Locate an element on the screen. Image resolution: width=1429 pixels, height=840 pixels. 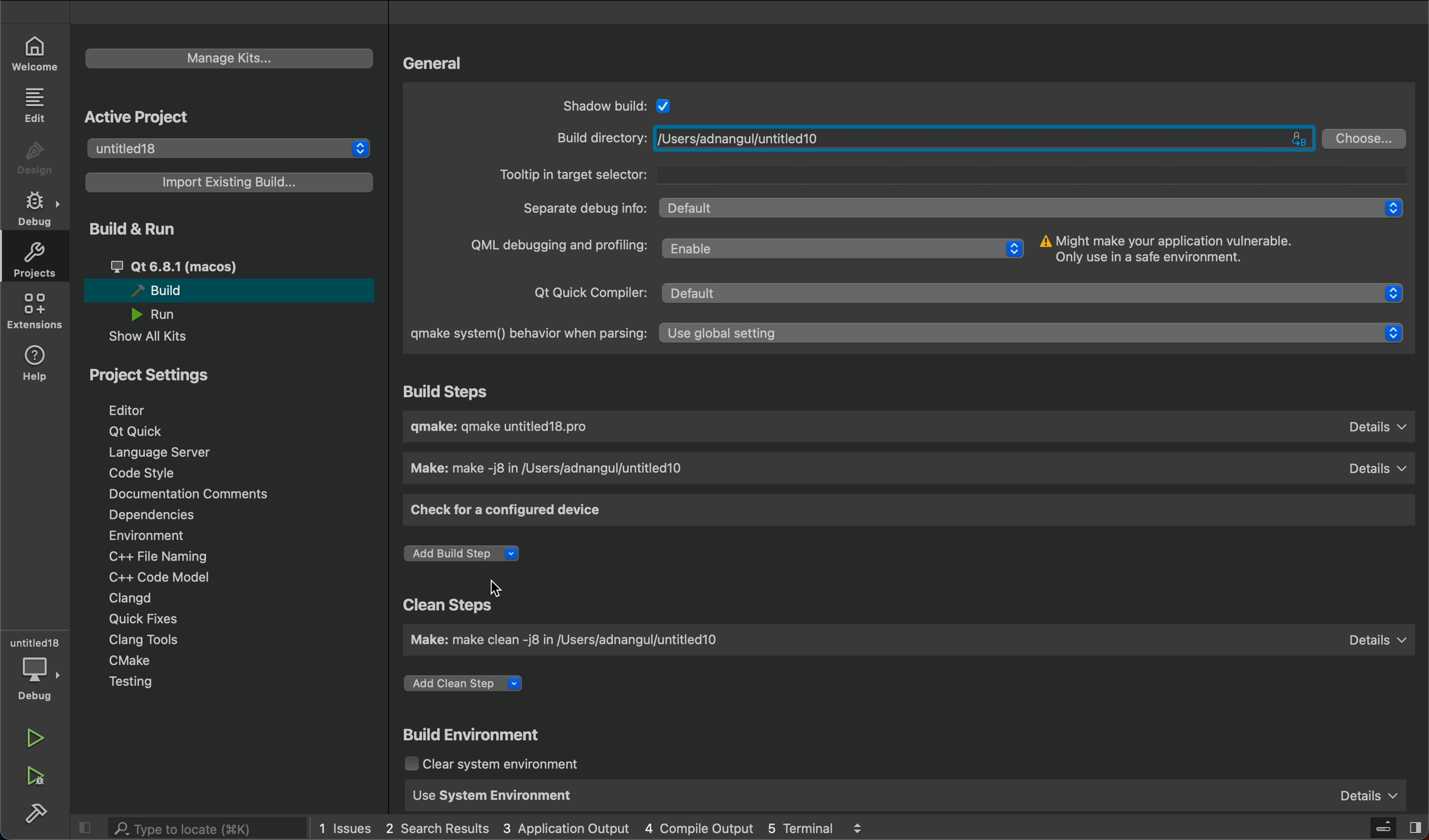
close slidebar is located at coordinates (90, 827).